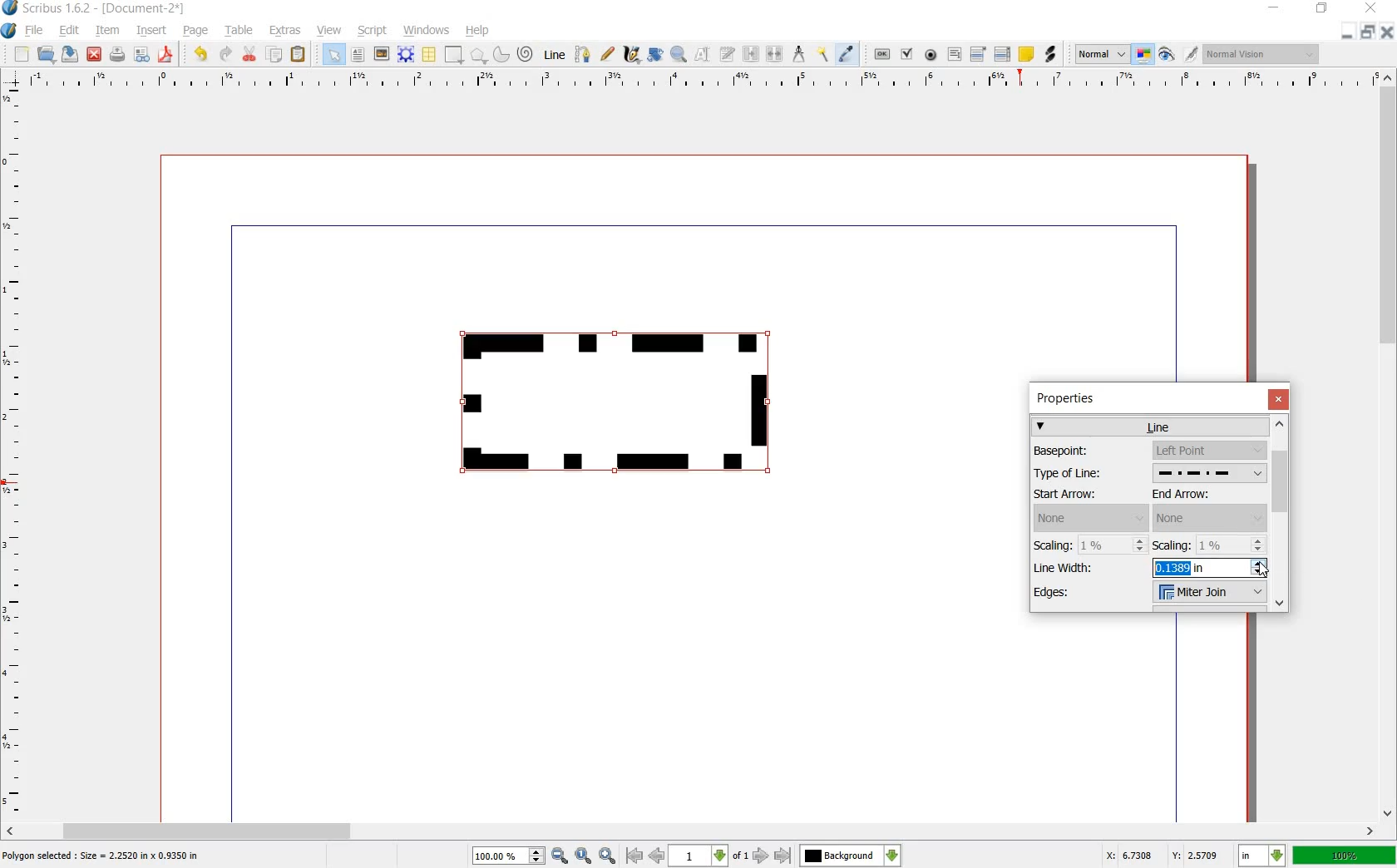  I want to click on PDF PUSH BUTTON, so click(879, 54).